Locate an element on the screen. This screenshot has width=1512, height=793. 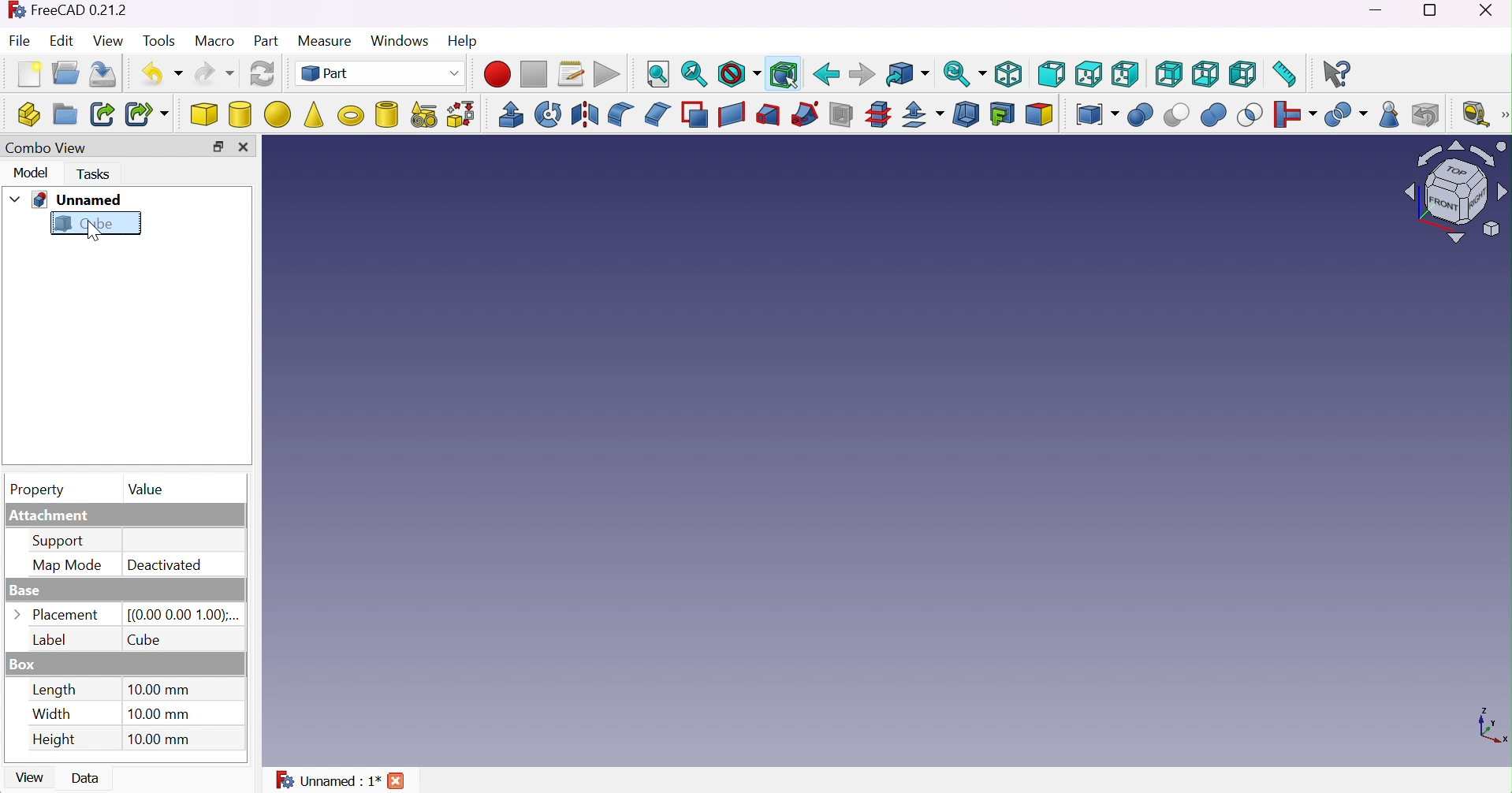
Box is located at coordinates (22, 665).